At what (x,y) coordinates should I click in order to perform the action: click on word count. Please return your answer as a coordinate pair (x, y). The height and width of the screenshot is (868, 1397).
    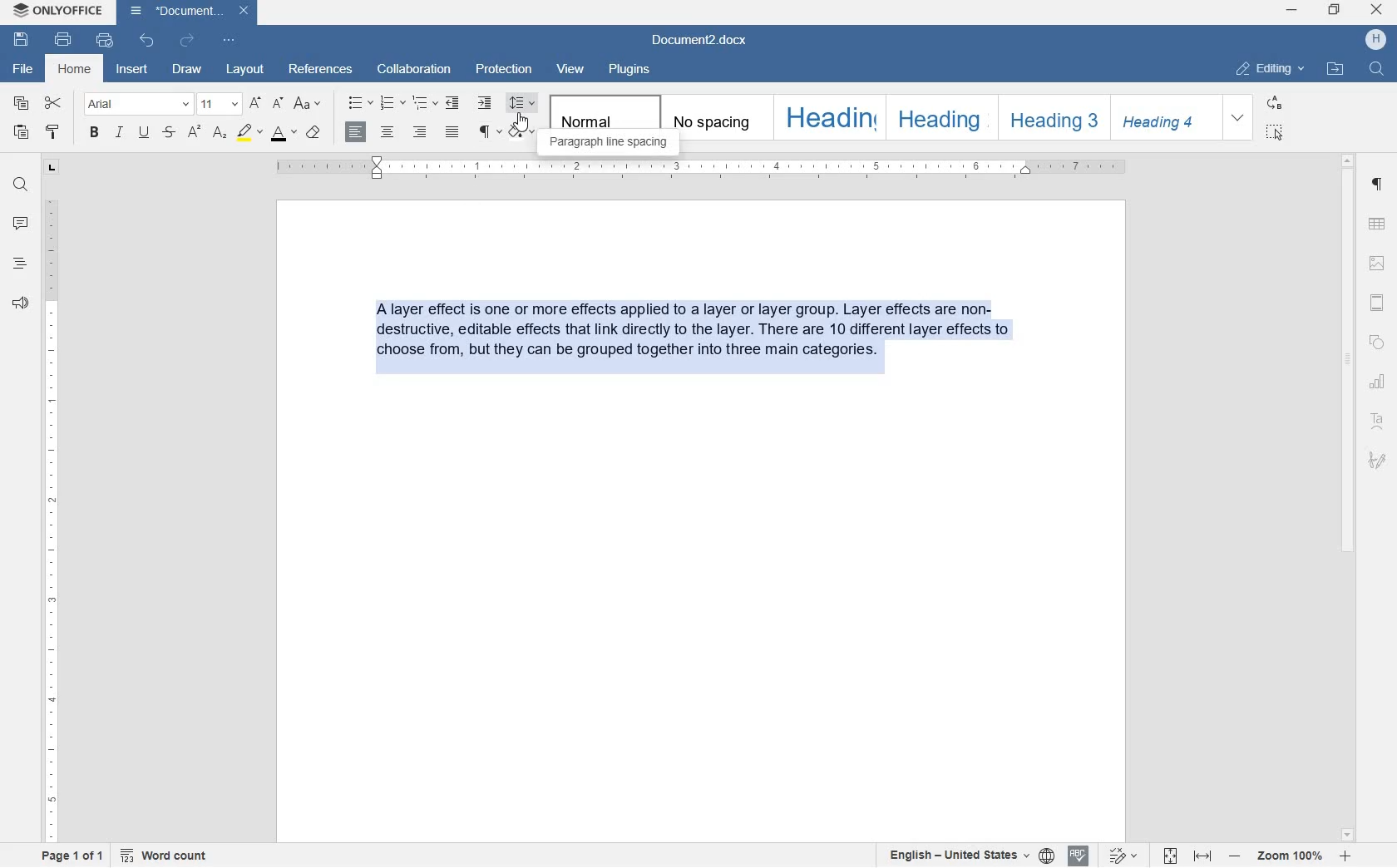
    Looking at the image, I should click on (164, 856).